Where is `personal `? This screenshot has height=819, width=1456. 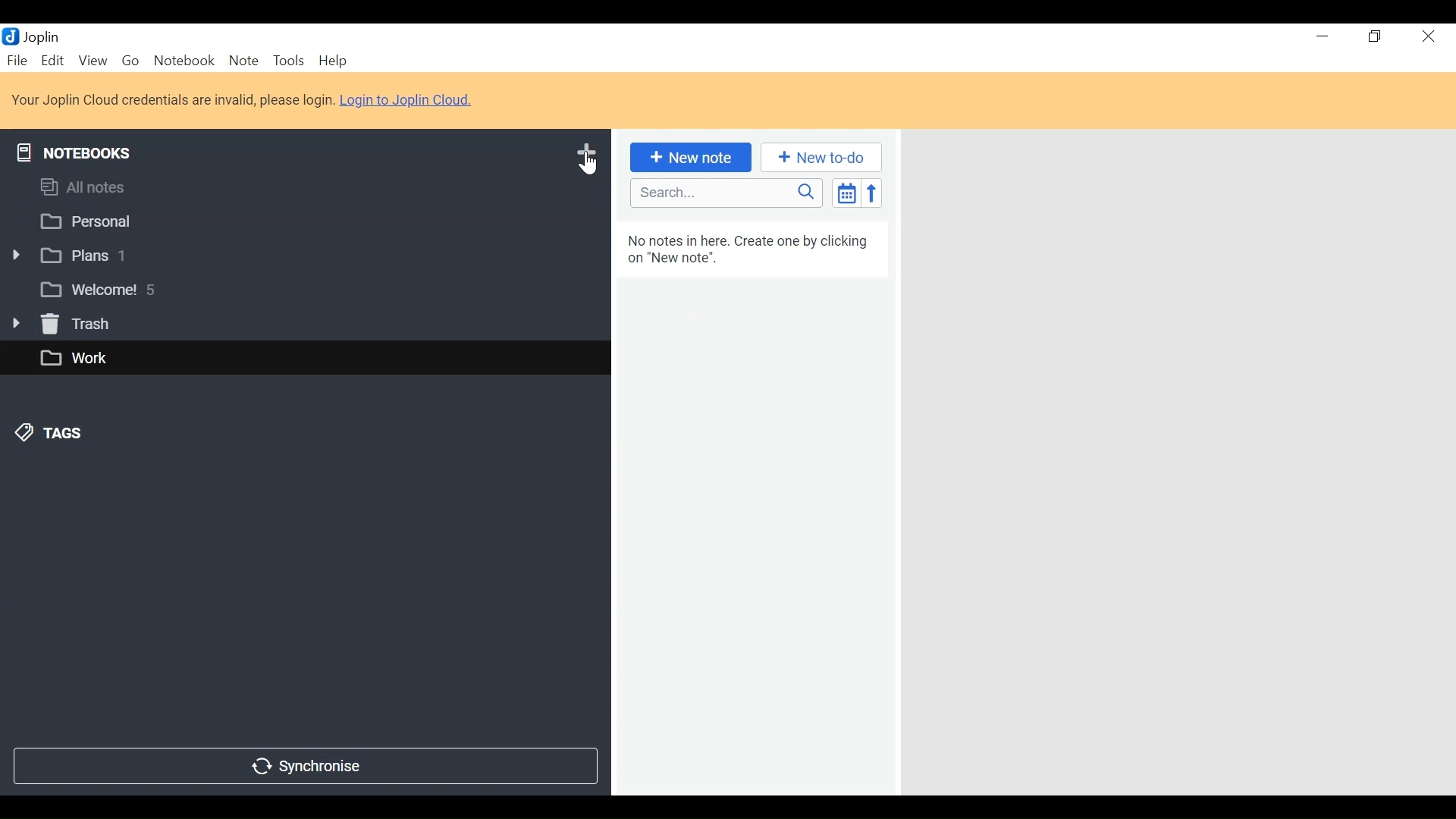
personal  is located at coordinates (300, 220).